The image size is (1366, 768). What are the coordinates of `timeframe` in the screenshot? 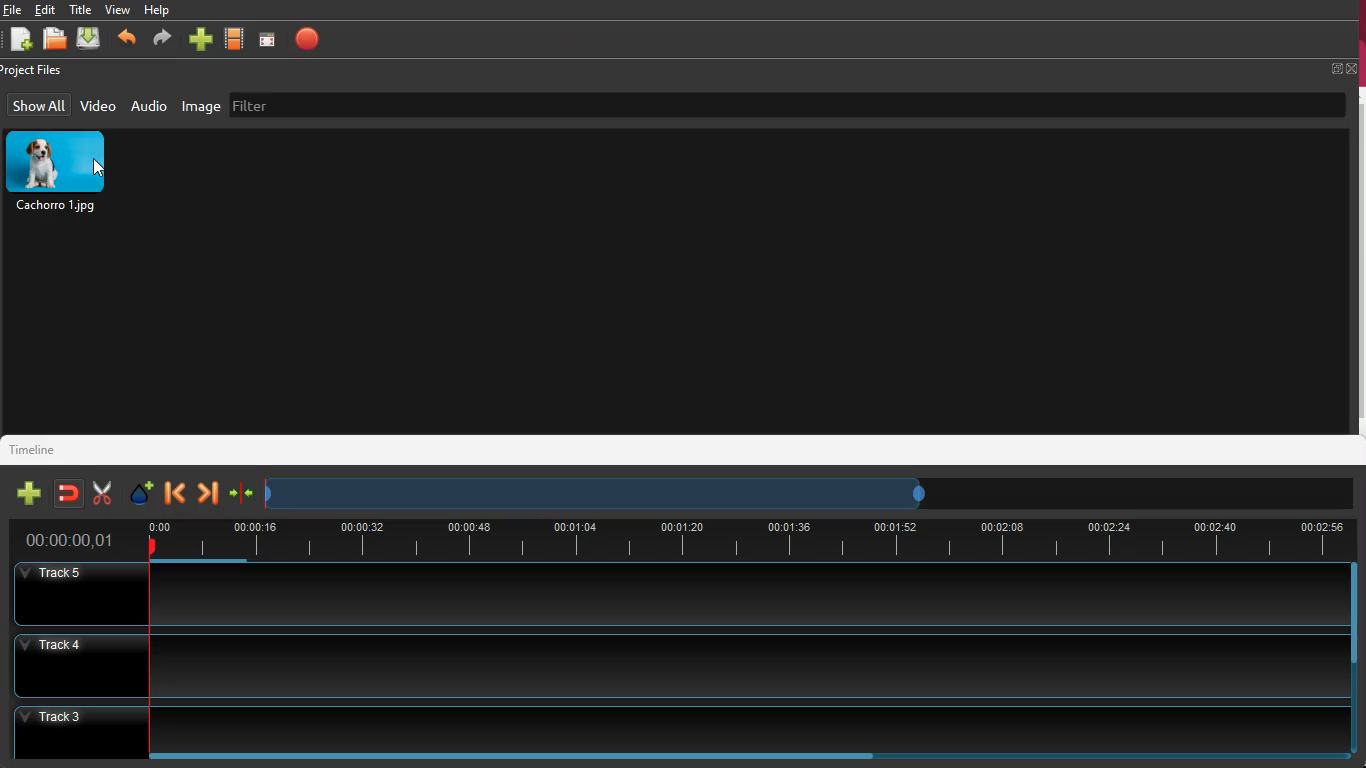 It's located at (610, 495).